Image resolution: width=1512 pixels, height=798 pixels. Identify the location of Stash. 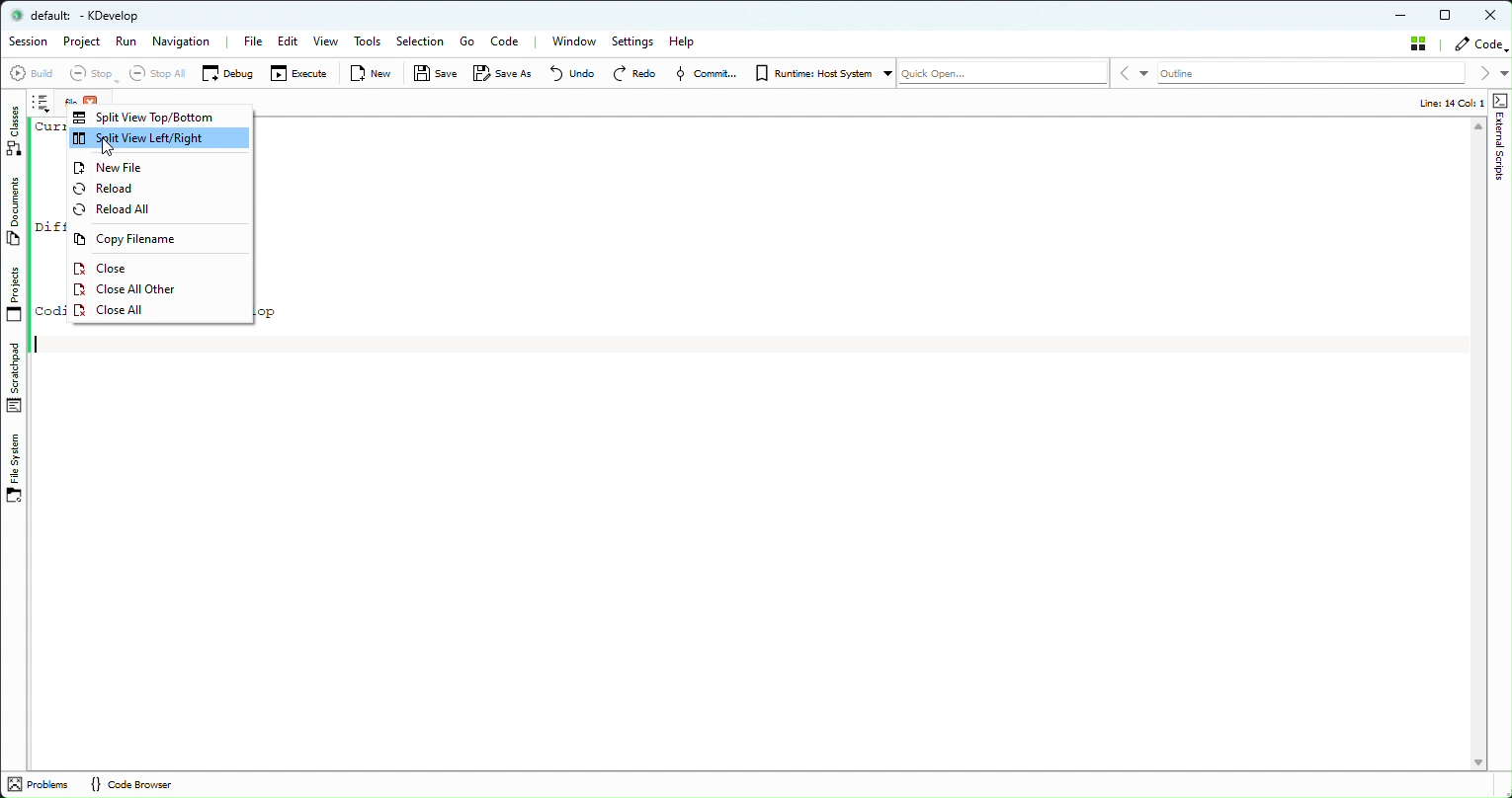
(1417, 43).